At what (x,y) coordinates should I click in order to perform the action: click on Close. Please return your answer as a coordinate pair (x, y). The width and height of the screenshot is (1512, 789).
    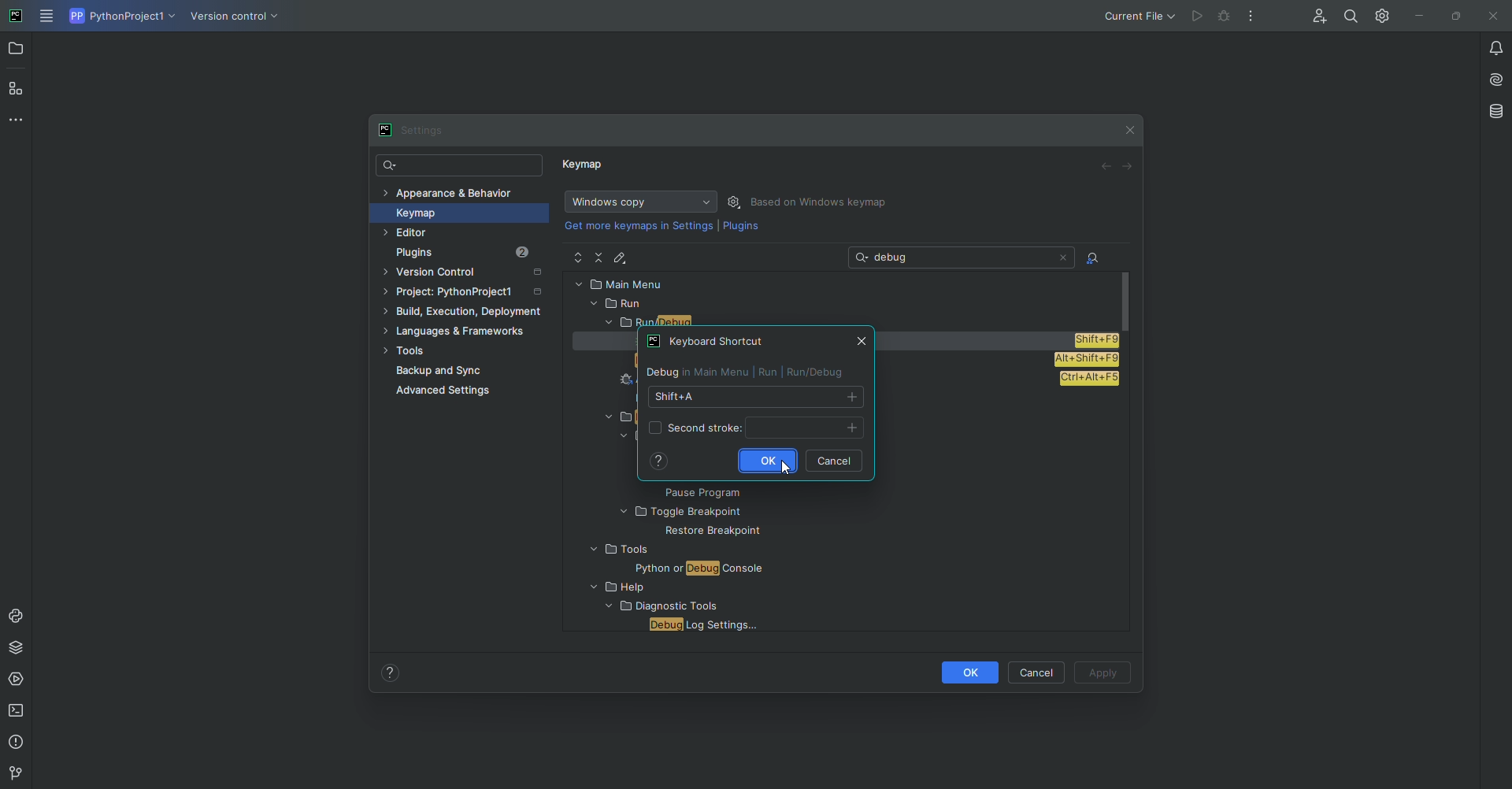
    Looking at the image, I should click on (1491, 17).